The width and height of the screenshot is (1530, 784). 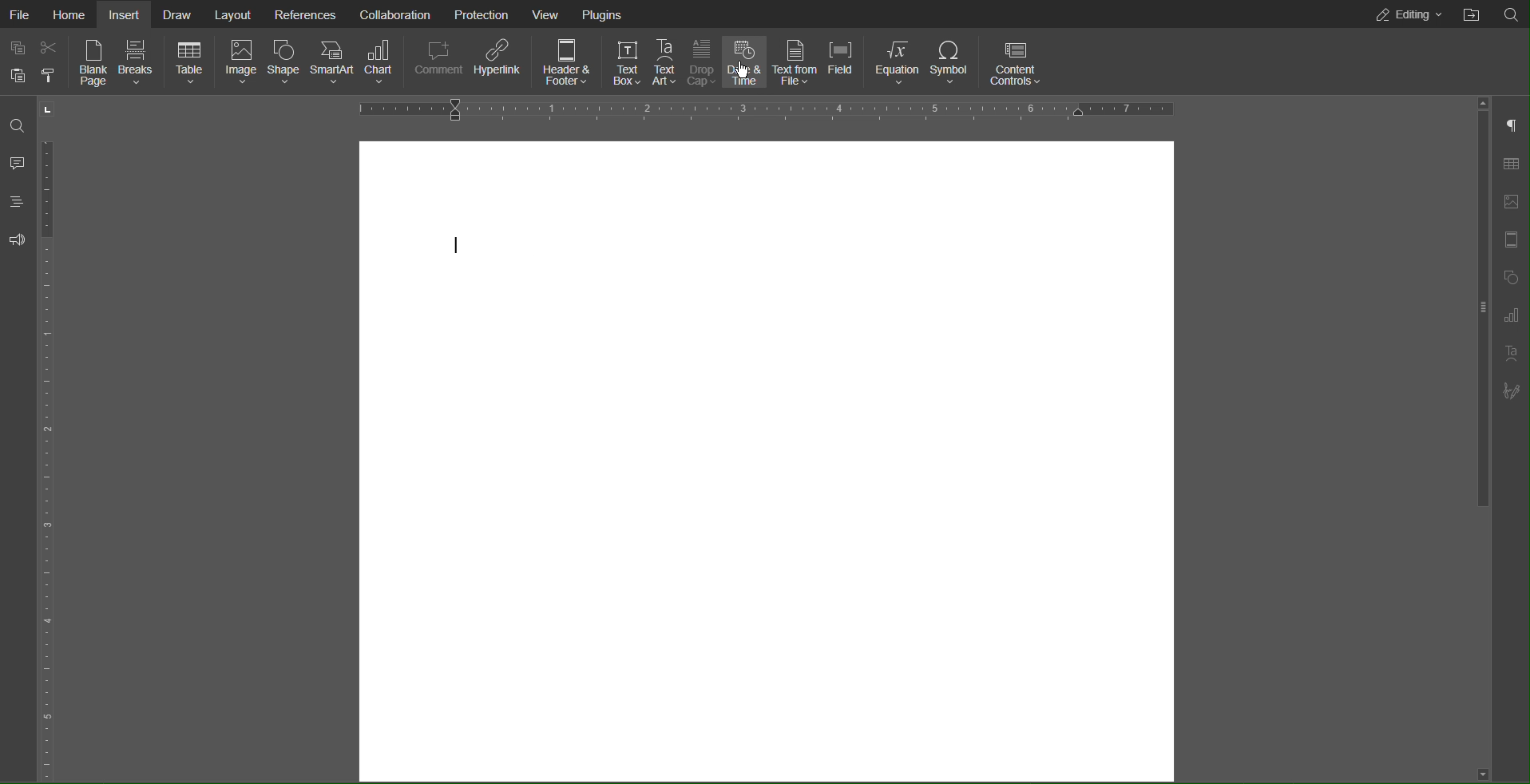 What do you see at coordinates (1474, 330) in the screenshot?
I see `slider` at bounding box center [1474, 330].